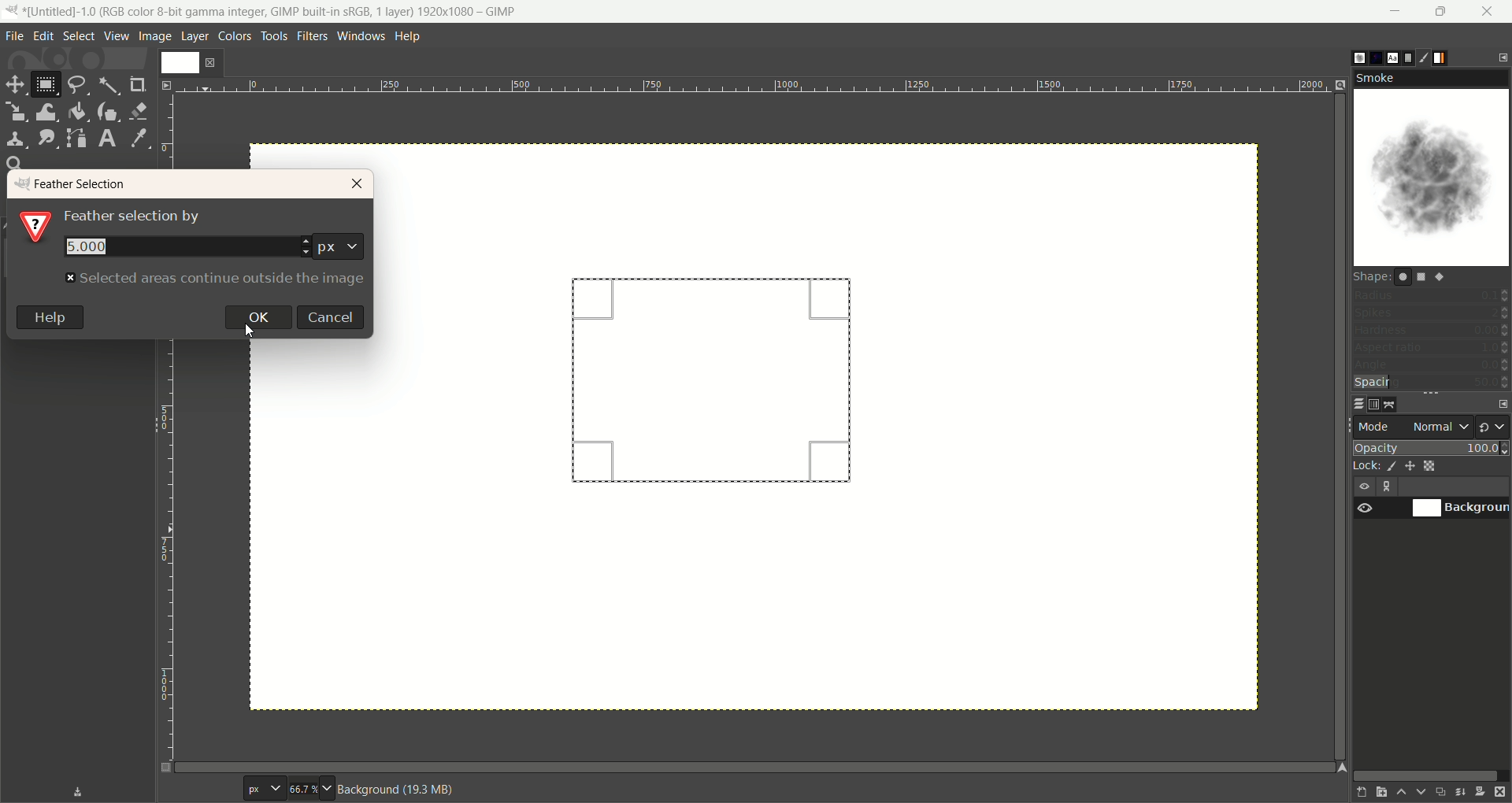 The width and height of the screenshot is (1512, 803). Describe the element at coordinates (358, 187) in the screenshot. I see `close` at that location.